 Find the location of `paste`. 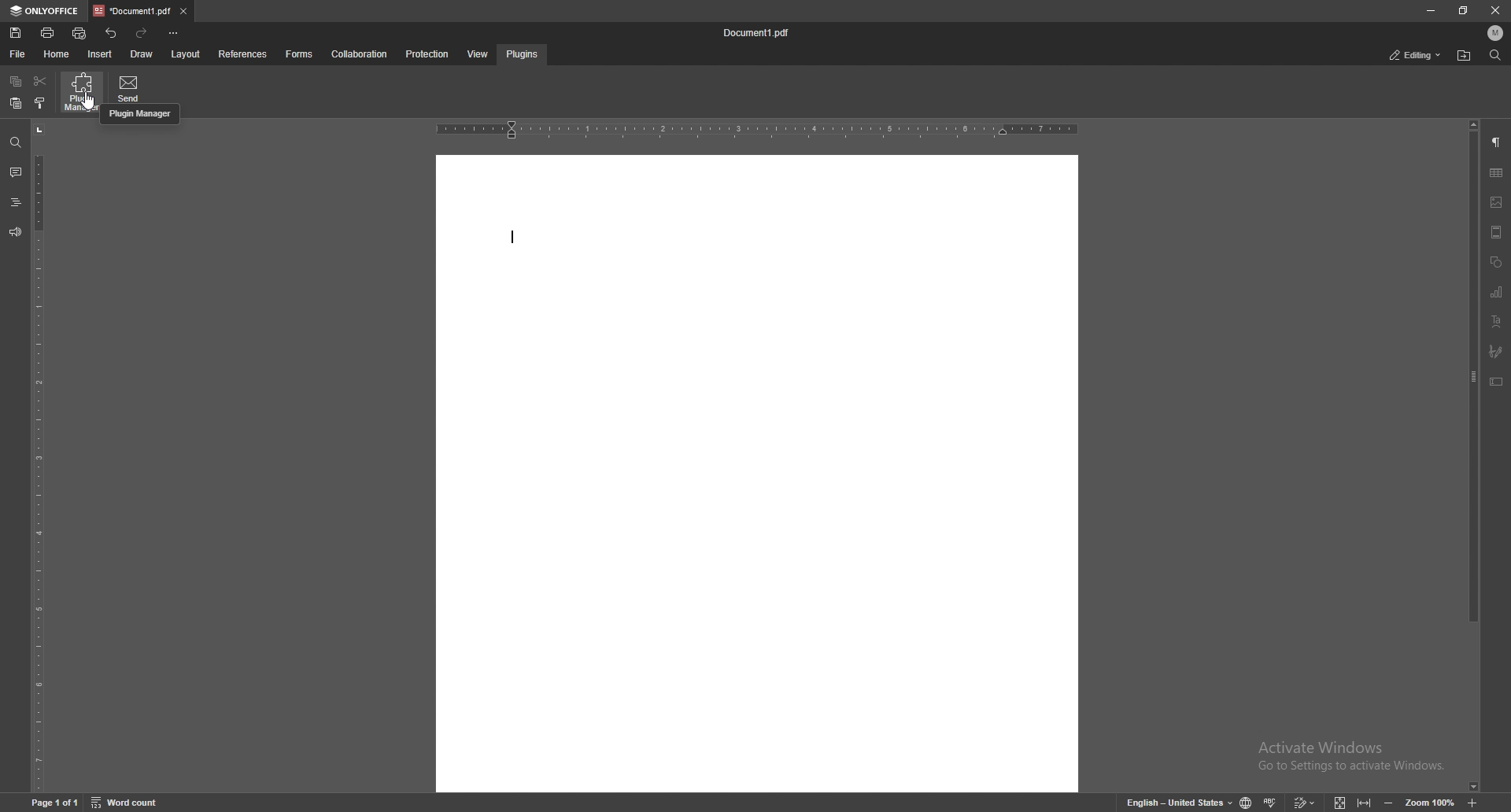

paste is located at coordinates (16, 104).